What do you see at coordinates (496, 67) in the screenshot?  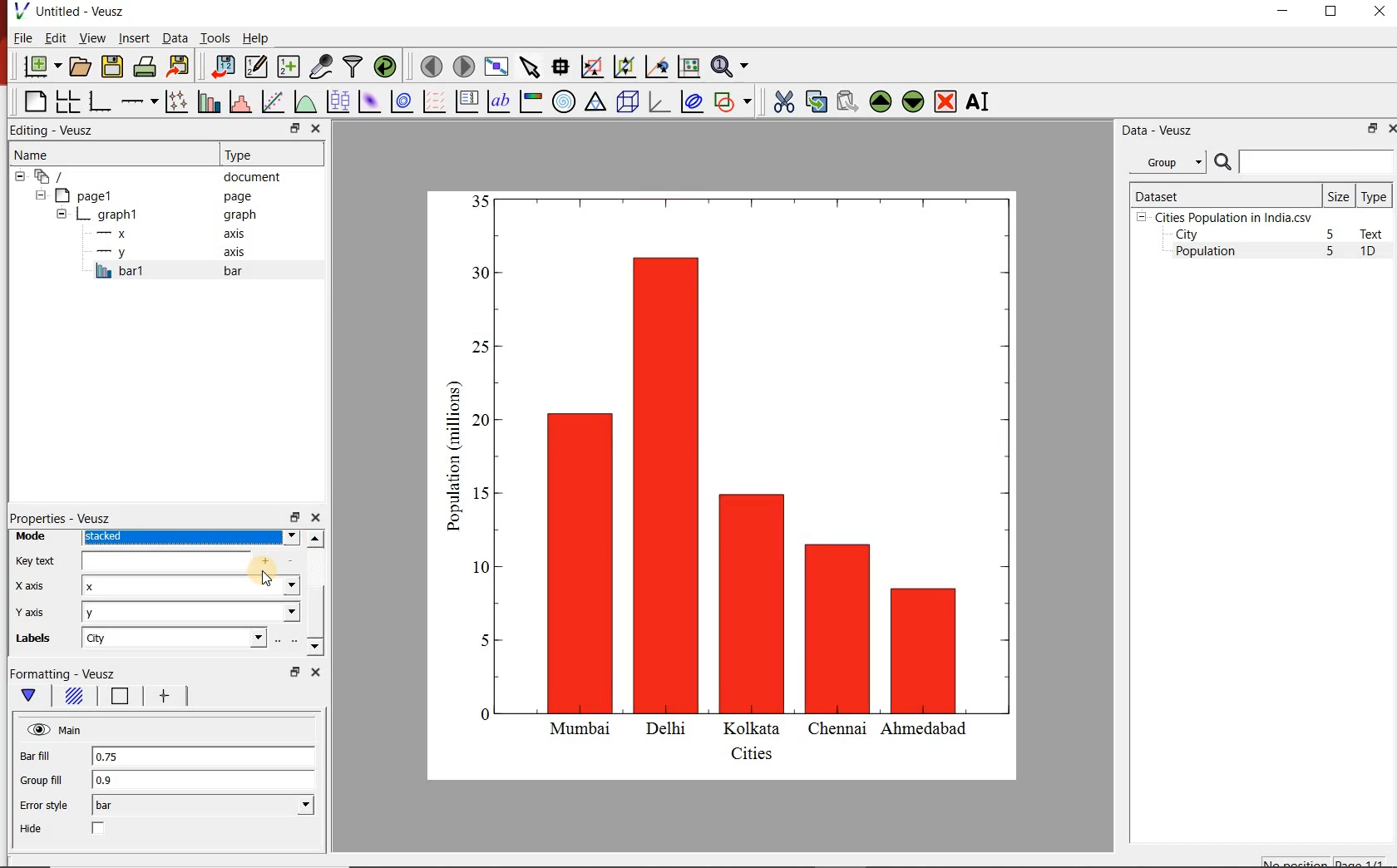 I see `view plot full screen` at bounding box center [496, 67].